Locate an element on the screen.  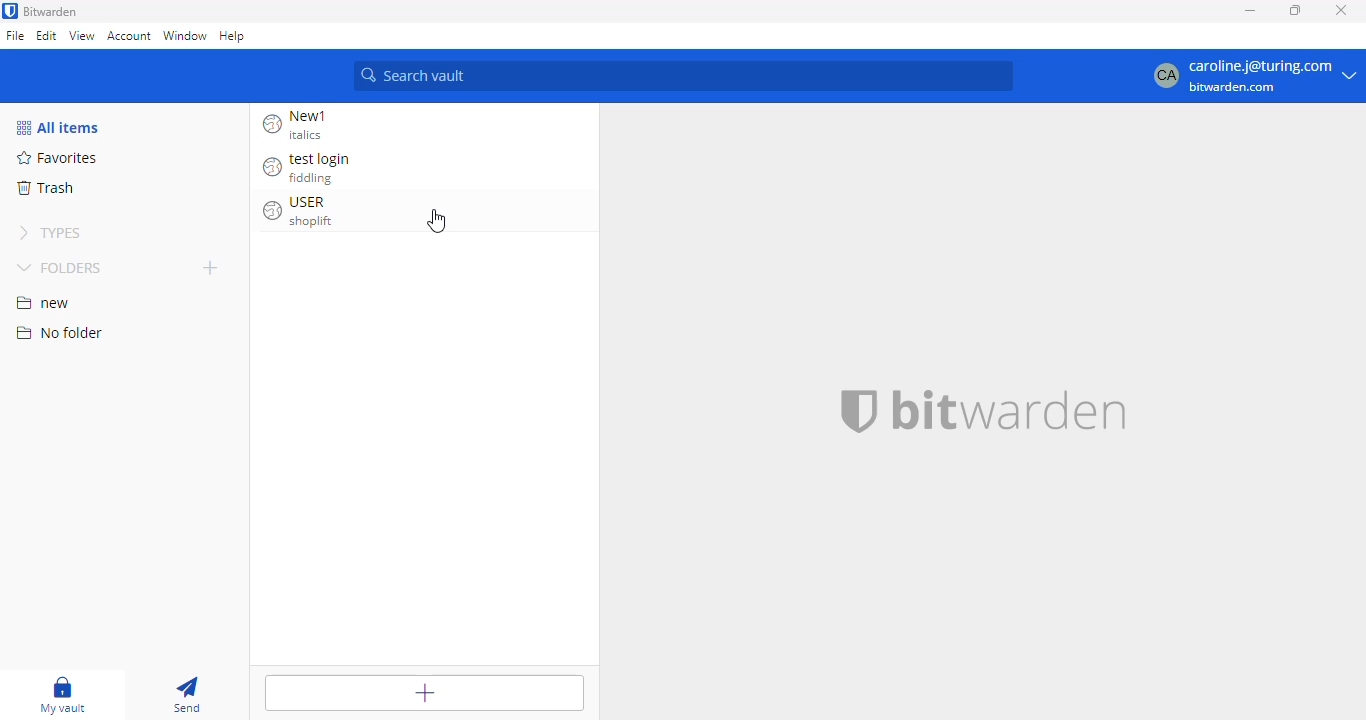
caroline j@turing.com   bitwarden.com is located at coordinates (1255, 76).